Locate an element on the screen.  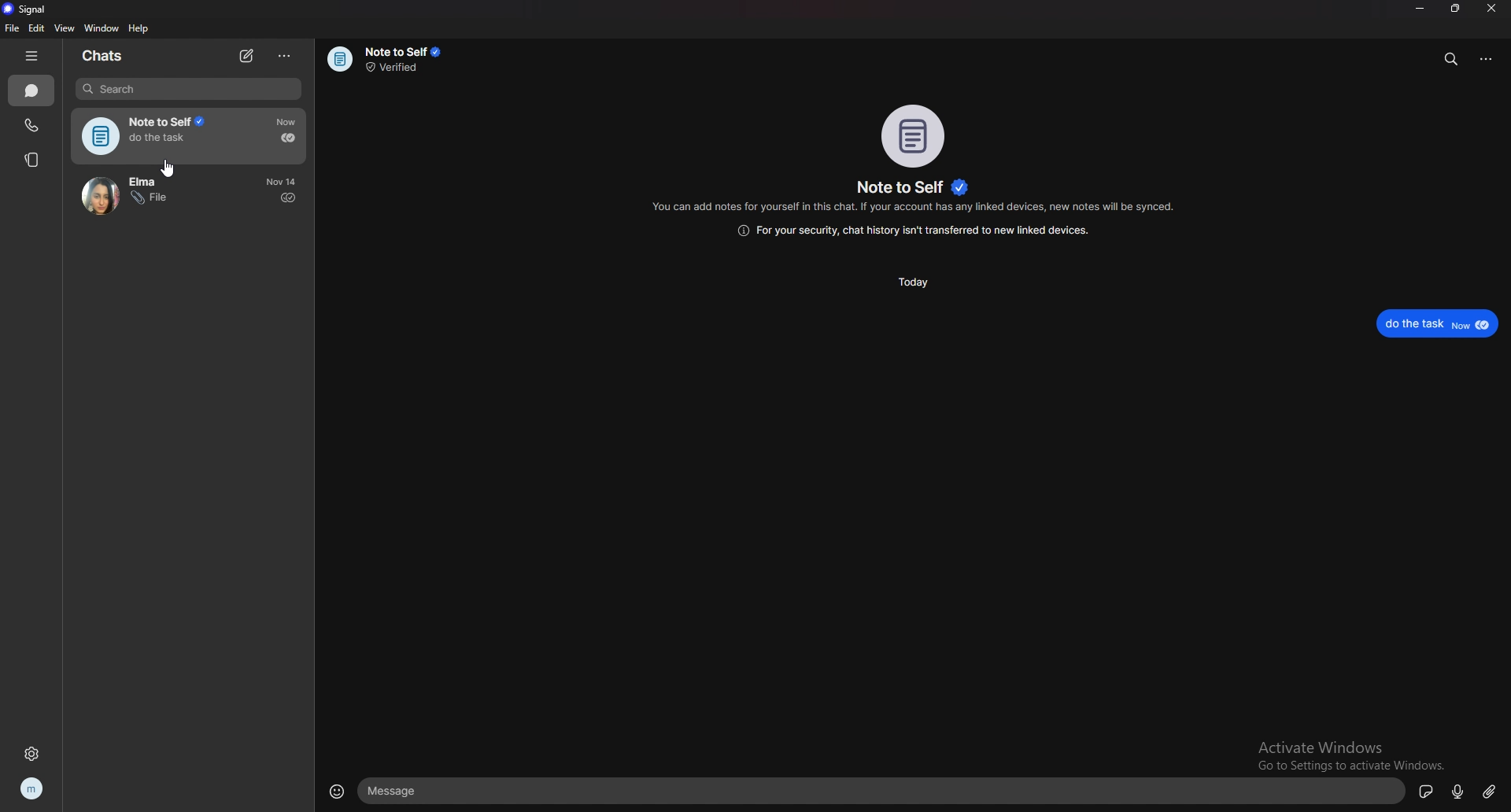
hide tab is located at coordinates (31, 56).